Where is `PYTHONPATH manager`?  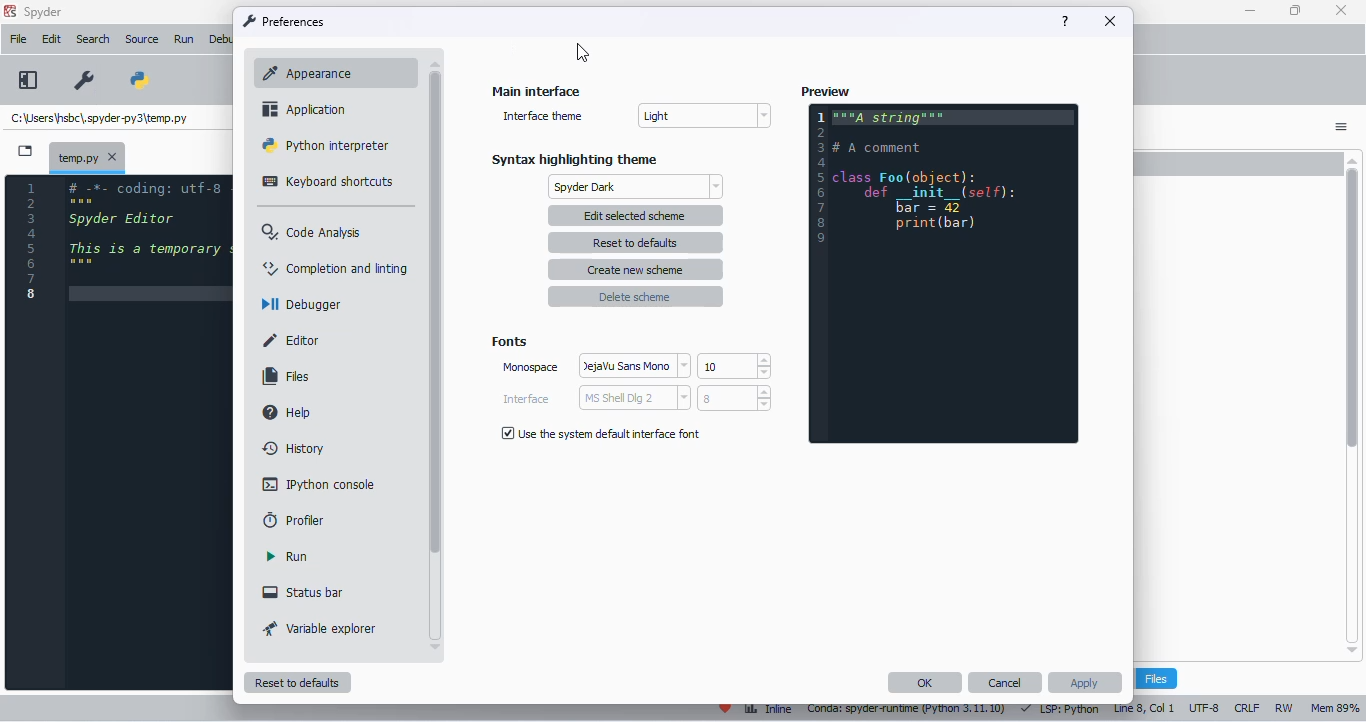
PYTHONPATH manager is located at coordinates (143, 81).